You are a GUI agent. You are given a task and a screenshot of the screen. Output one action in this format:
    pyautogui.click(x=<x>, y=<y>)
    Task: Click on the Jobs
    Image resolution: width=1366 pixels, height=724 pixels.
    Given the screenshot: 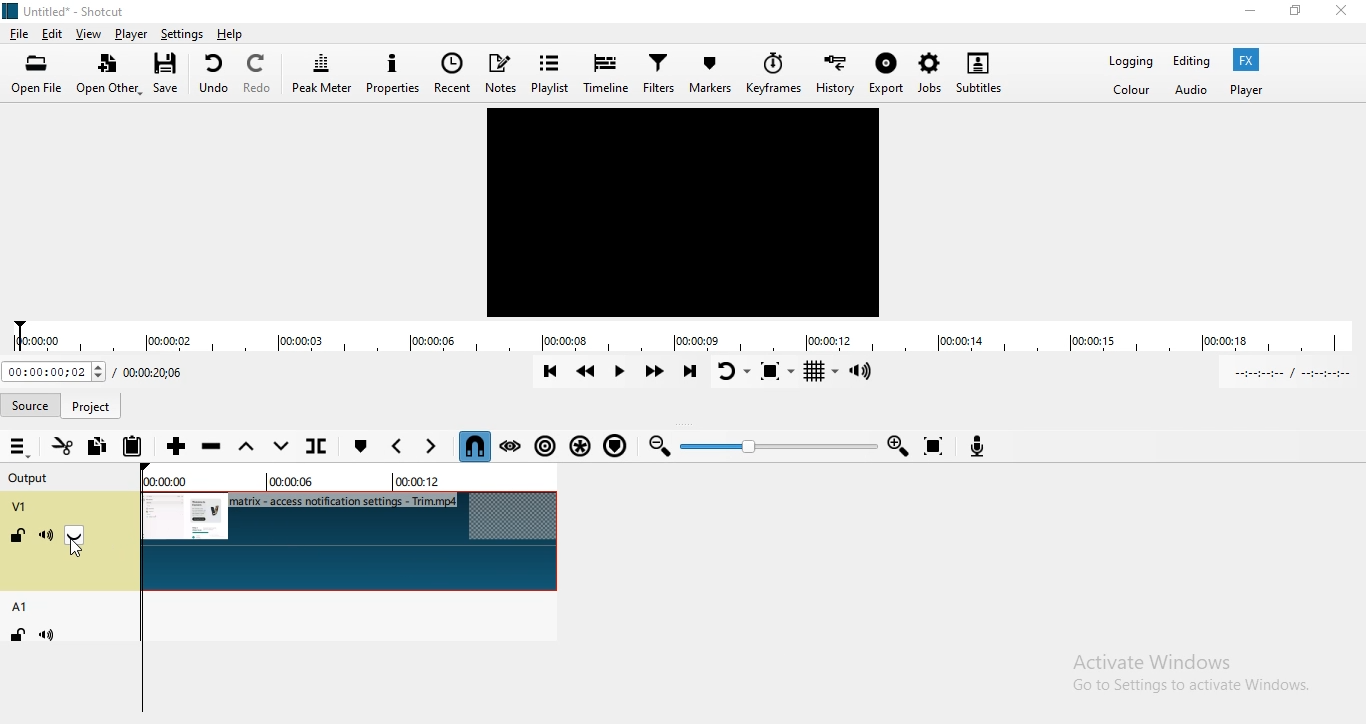 What is the action you would take?
    pyautogui.click(x=929, y=71)
    